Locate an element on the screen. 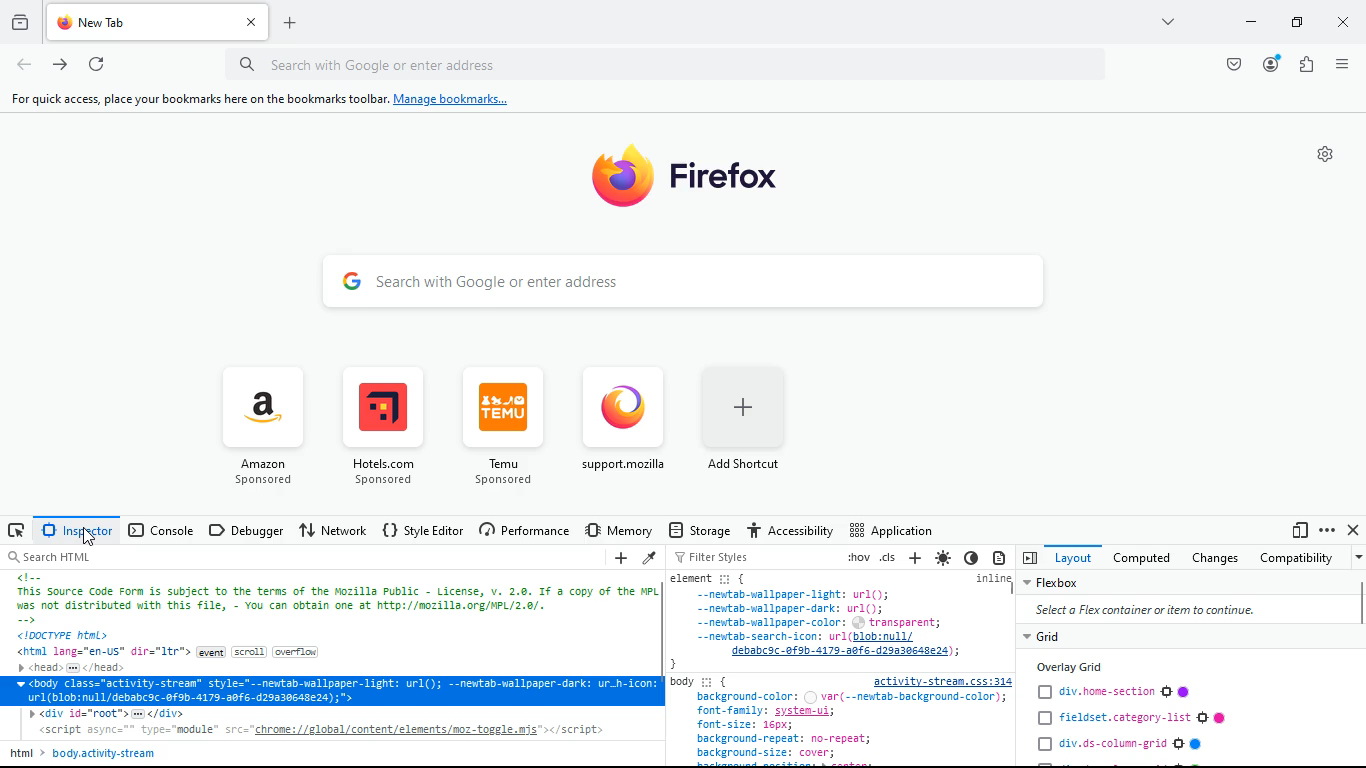 This screenshot has height=768, width=1366. 2nd bracket is located at coordinates (744, 578).